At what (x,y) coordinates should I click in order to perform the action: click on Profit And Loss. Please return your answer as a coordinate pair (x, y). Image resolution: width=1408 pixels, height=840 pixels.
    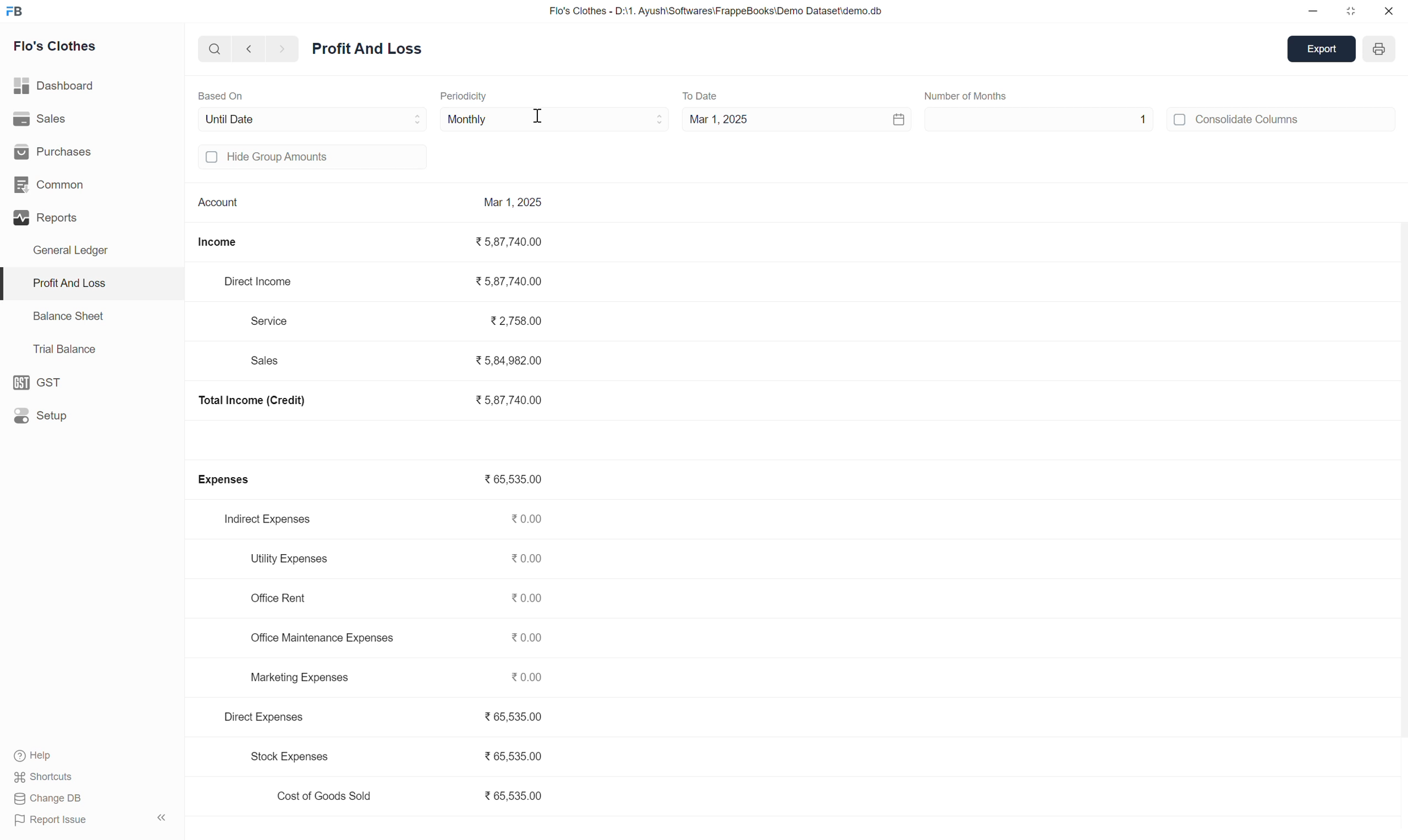
    Looking at the image, I should click on (64, 284).